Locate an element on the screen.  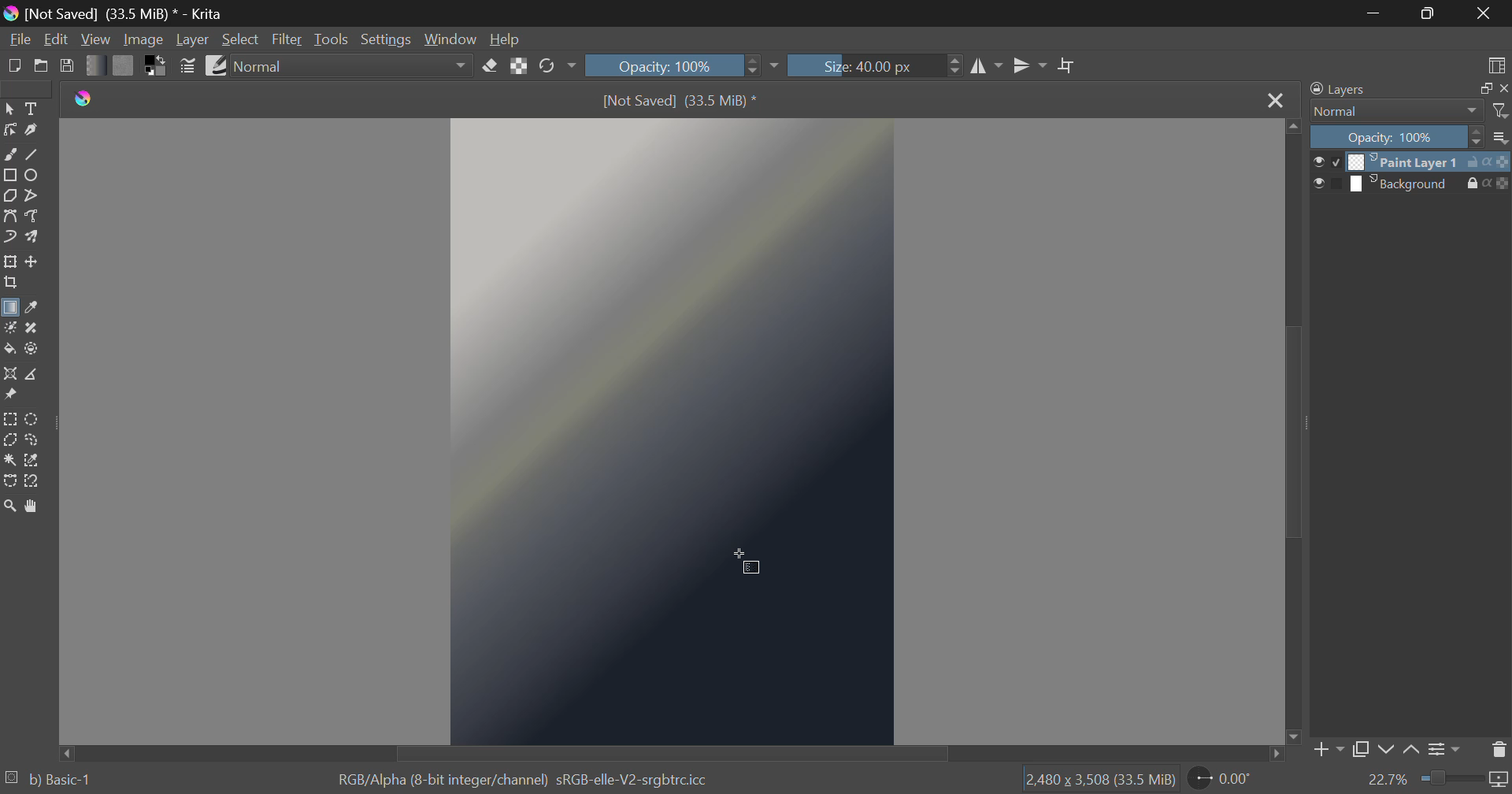
logo is located at coordinates (88, 99).